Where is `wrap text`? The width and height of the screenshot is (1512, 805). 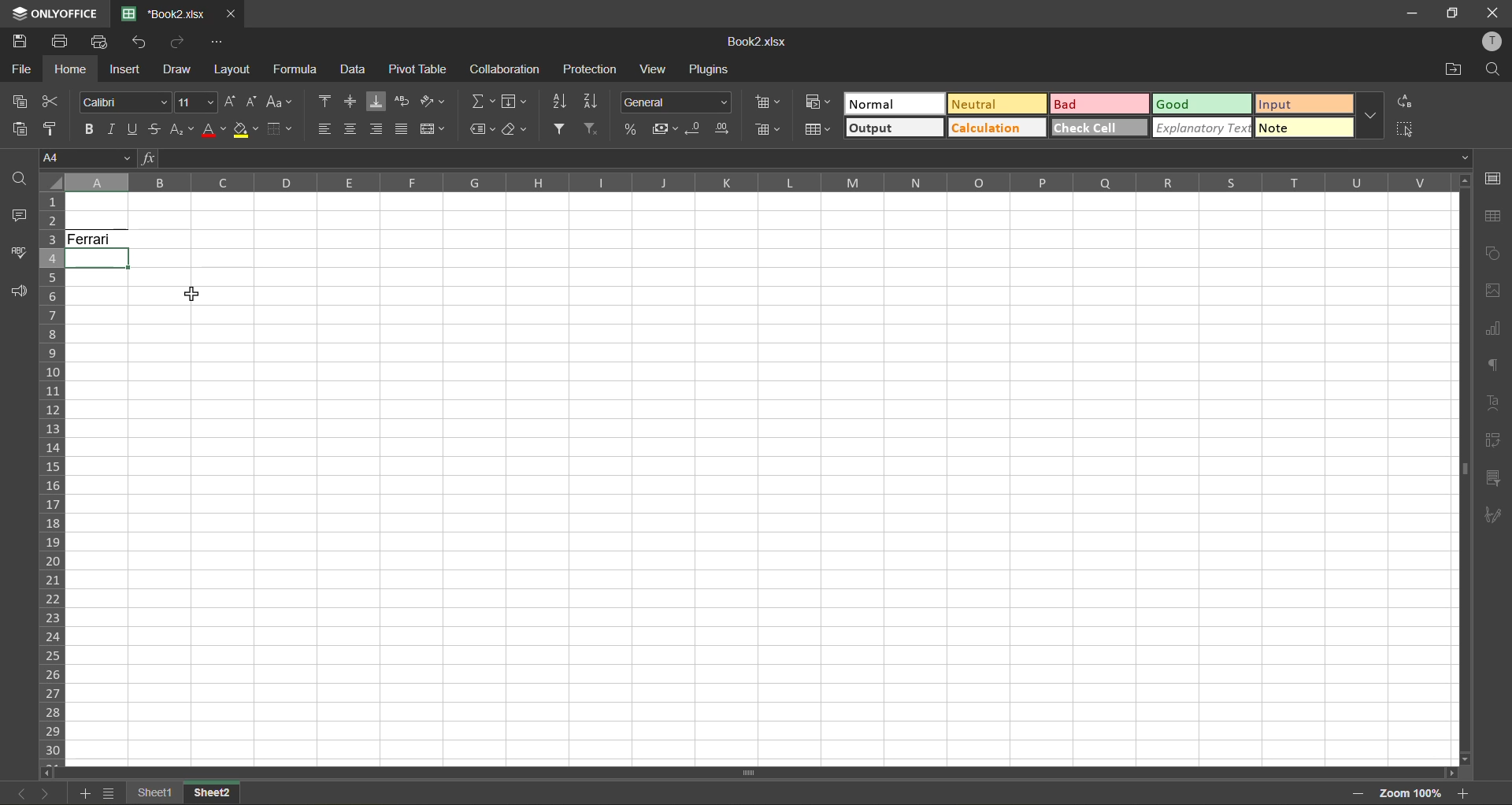
wrap text is located at coordinates (406, 102).